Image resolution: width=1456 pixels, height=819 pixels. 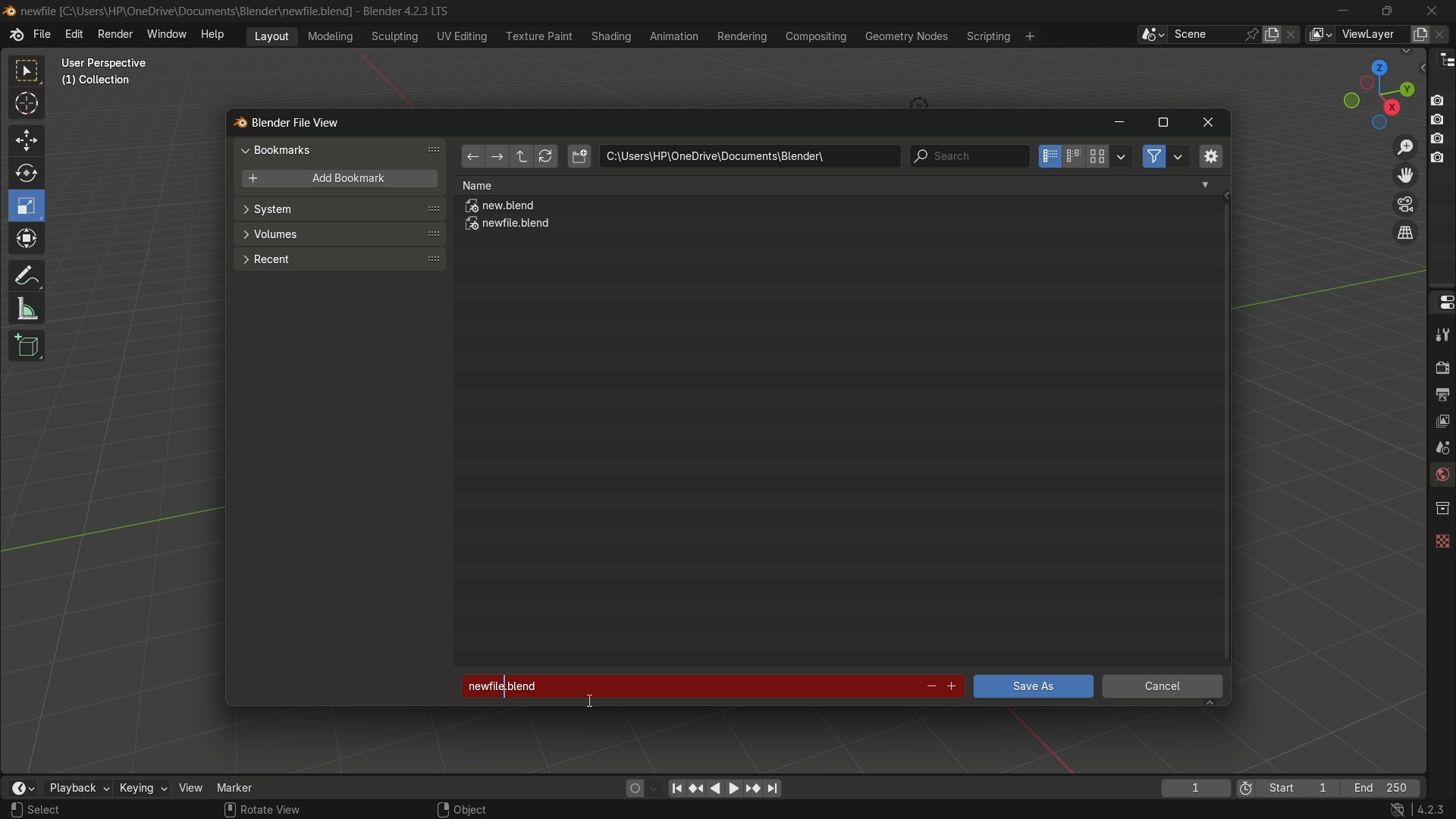 I want to click on select box, so click(x=28, y=71).